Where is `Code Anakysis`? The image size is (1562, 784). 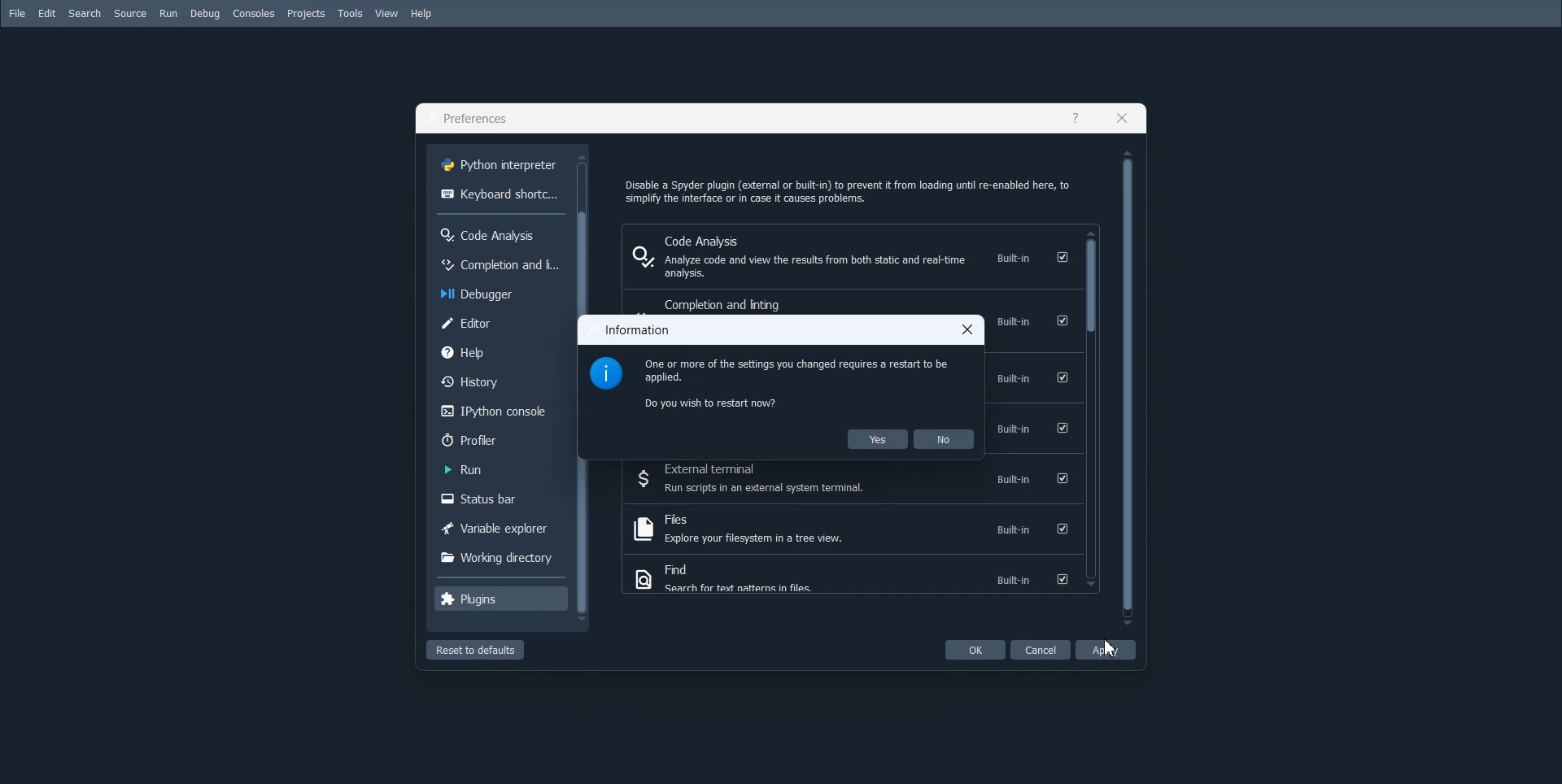
Code Anakysis is located at coordinates (499, 233).